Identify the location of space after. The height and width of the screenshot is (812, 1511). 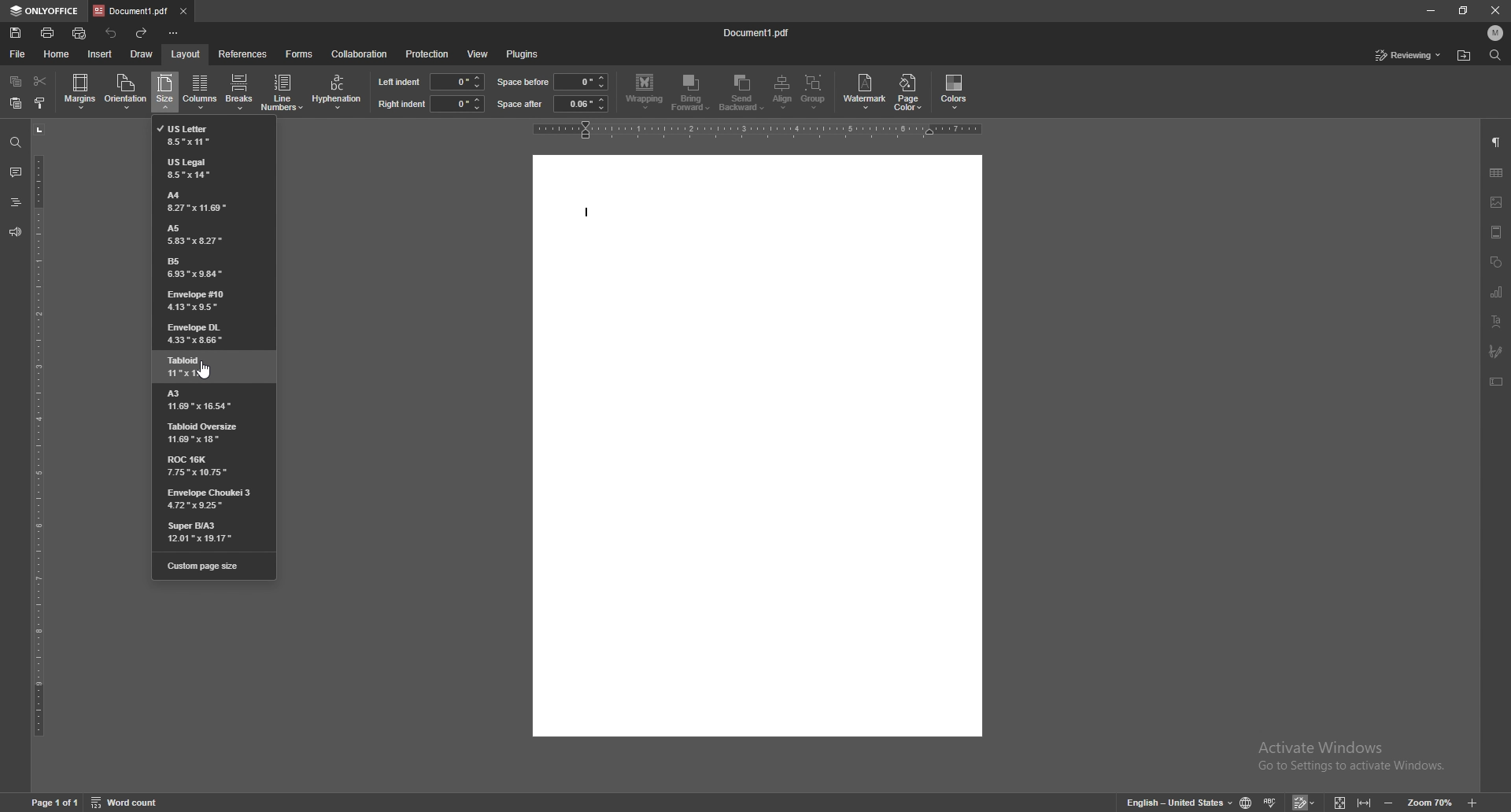
(520, 104).